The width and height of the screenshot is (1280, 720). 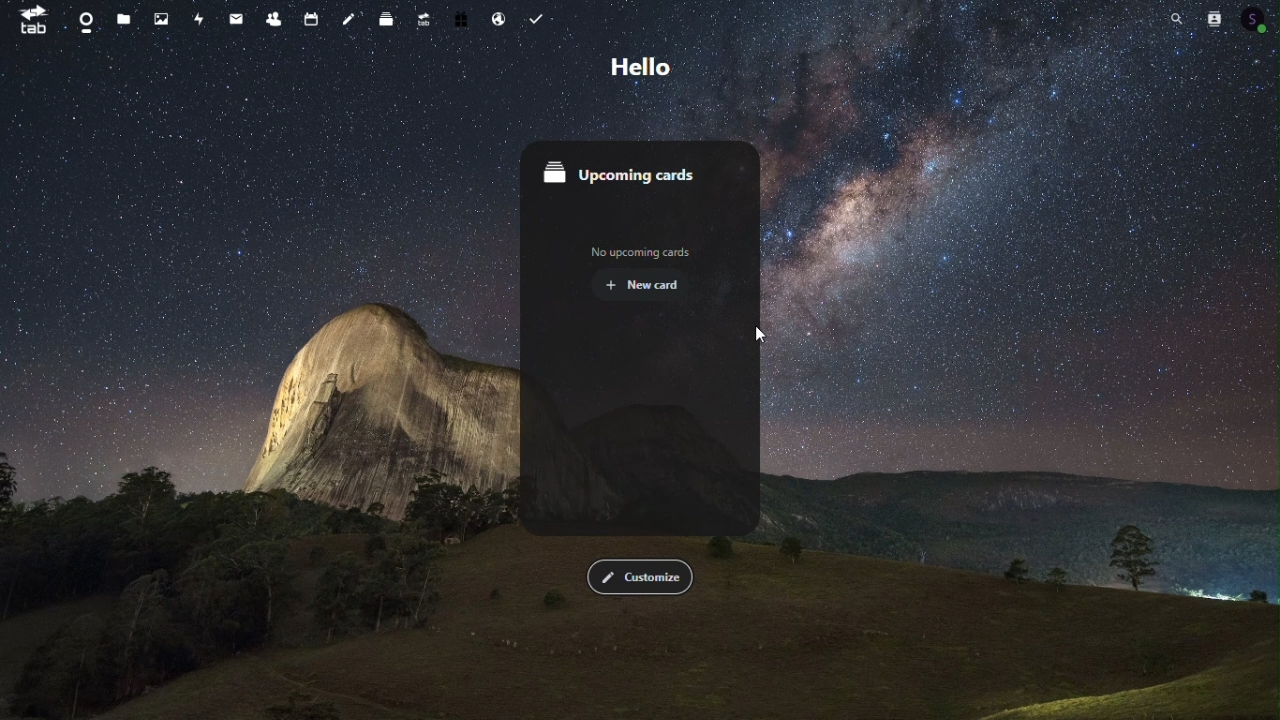 I want to click on Deck, so click(x=389, y=16).